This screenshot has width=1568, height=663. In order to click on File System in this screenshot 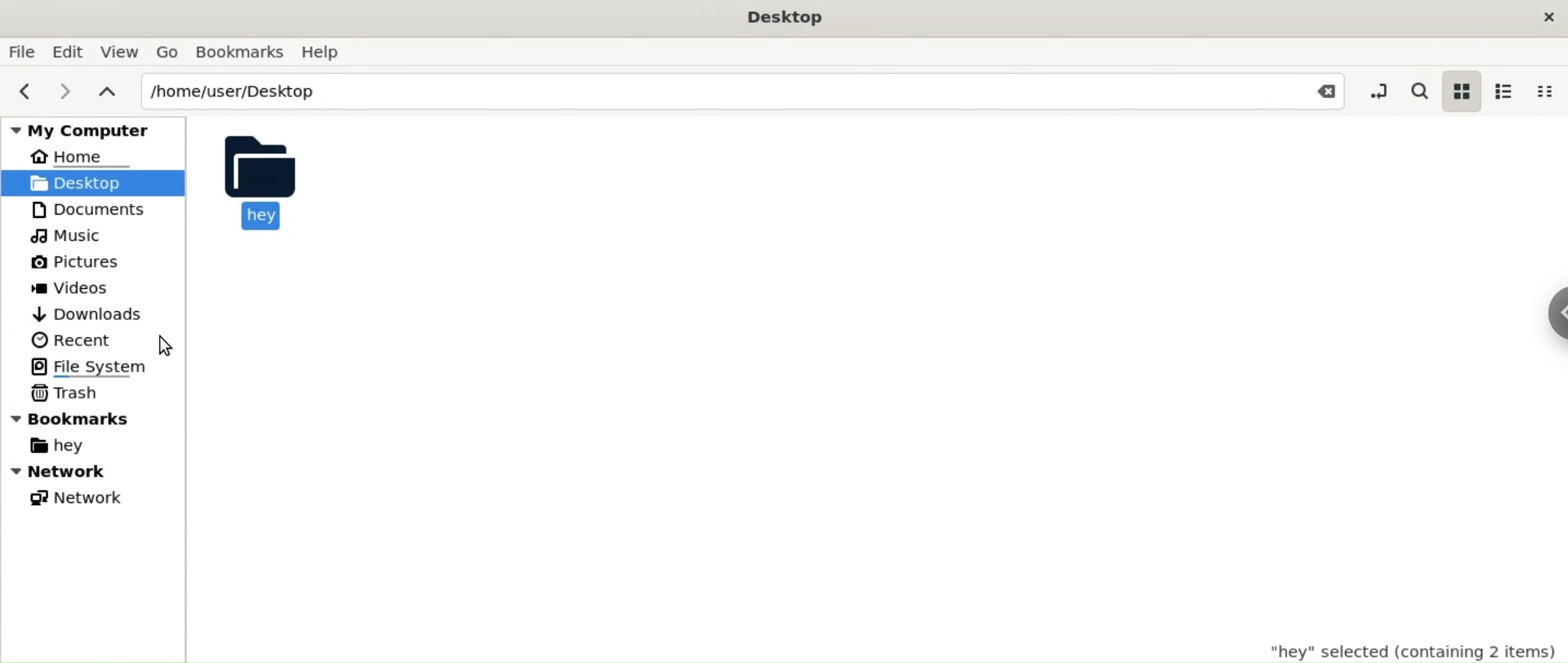, I will do `click(89, 367)`.